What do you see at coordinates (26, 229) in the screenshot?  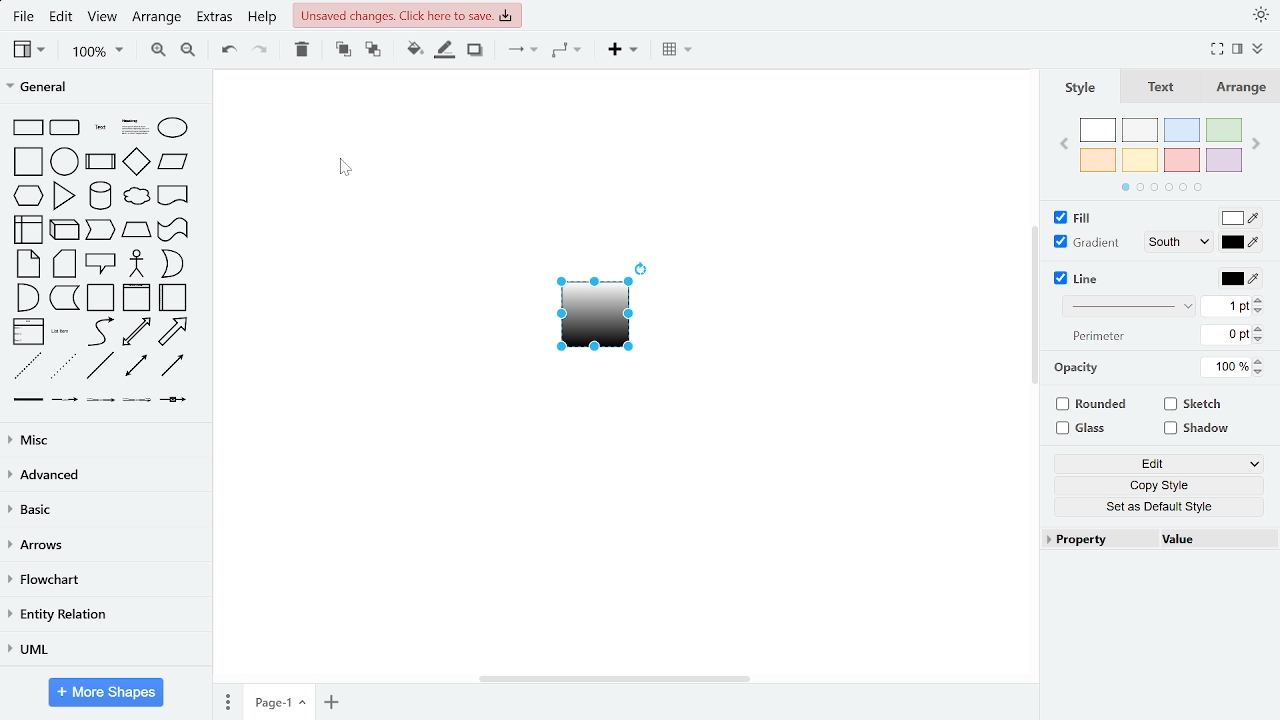 I see `general shapes` at bounding box center [26, 229].